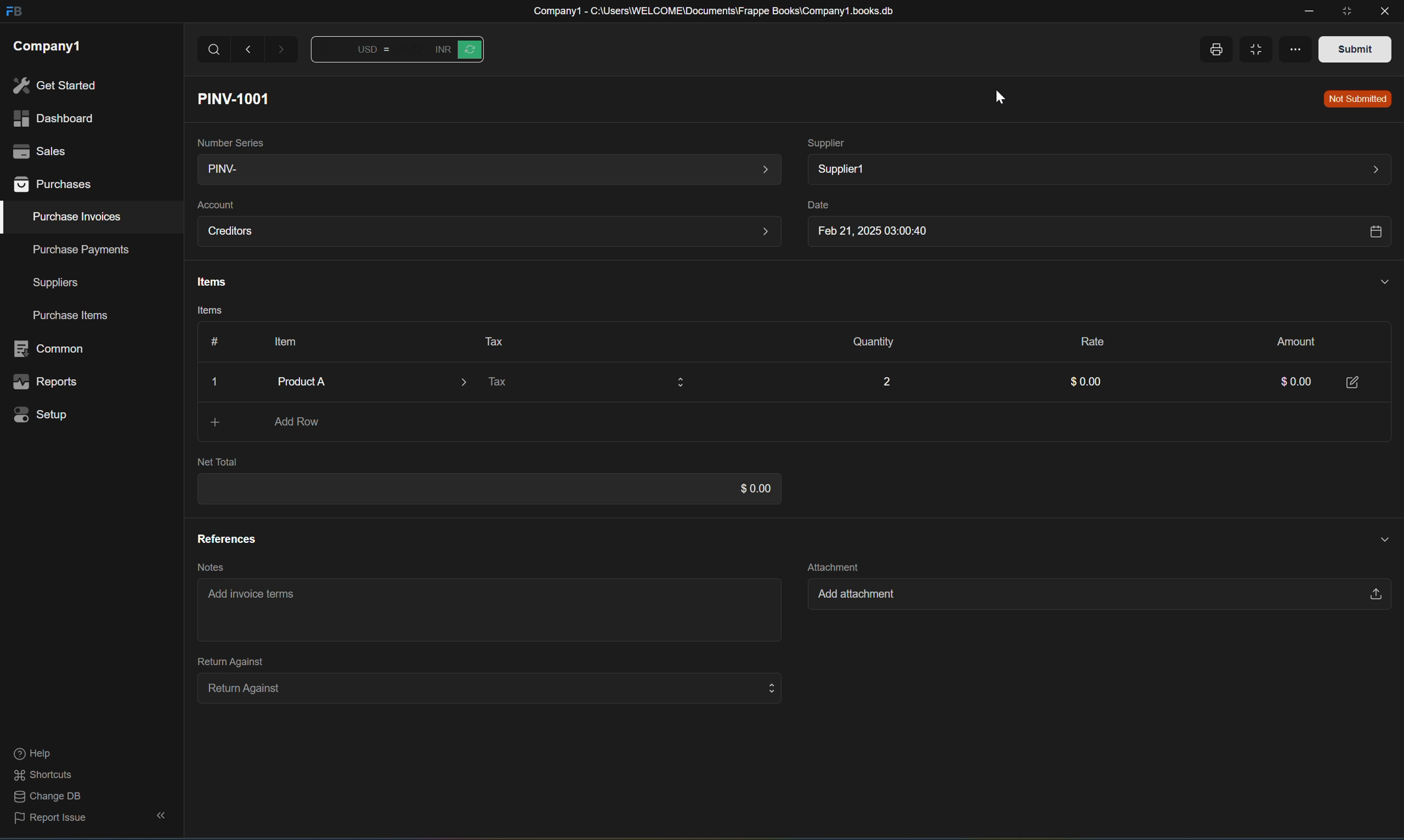  I want to click on purchase invoices, so click(78, 217).